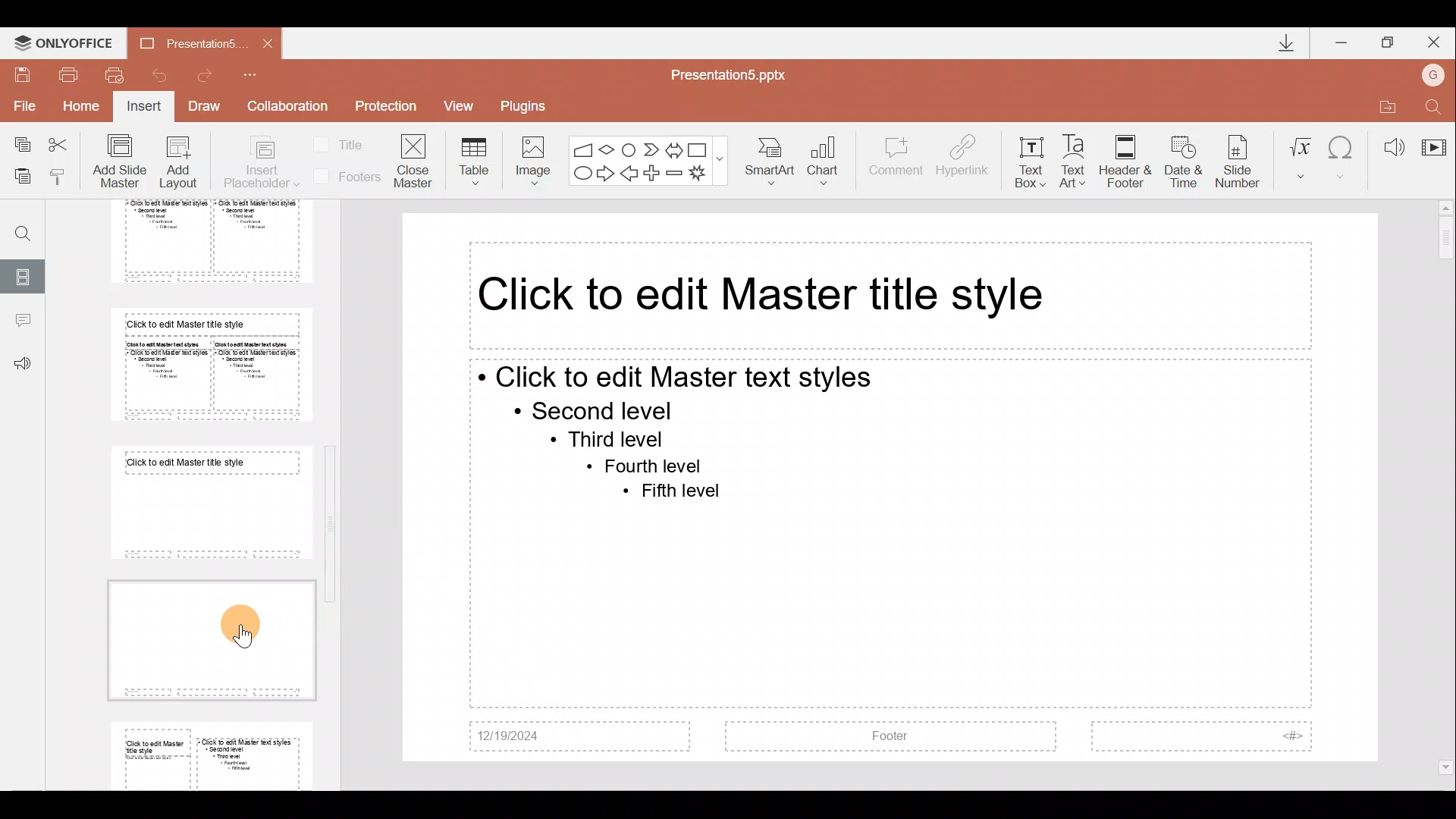  I want to click on Plugins, so click(529, 104).